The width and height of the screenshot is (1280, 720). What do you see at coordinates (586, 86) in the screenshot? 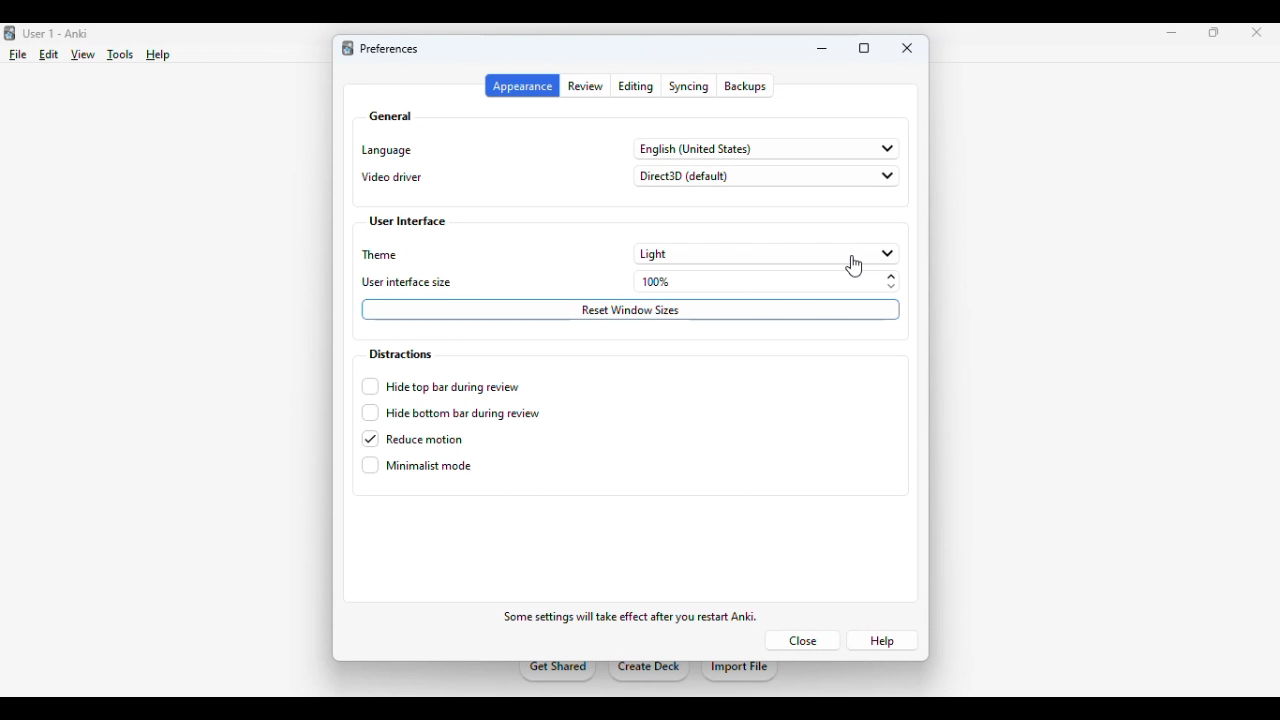
I see `review` at bounding box center [586, 86].